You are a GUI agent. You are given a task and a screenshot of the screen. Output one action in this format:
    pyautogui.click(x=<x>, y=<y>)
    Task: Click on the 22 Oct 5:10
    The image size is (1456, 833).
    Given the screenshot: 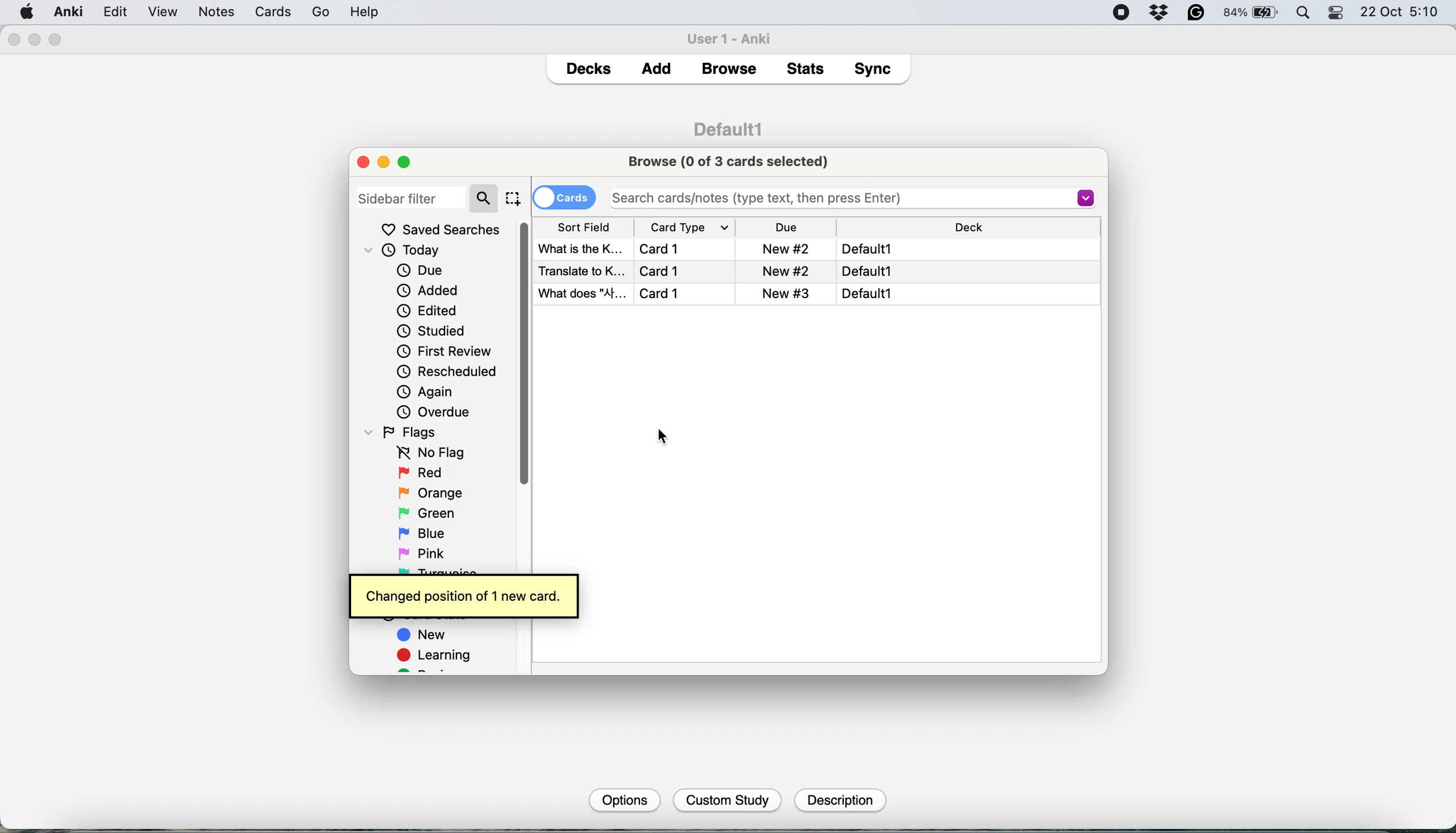 What is the action you would take?
    pyautogui.click(x=1401, y=13)
    